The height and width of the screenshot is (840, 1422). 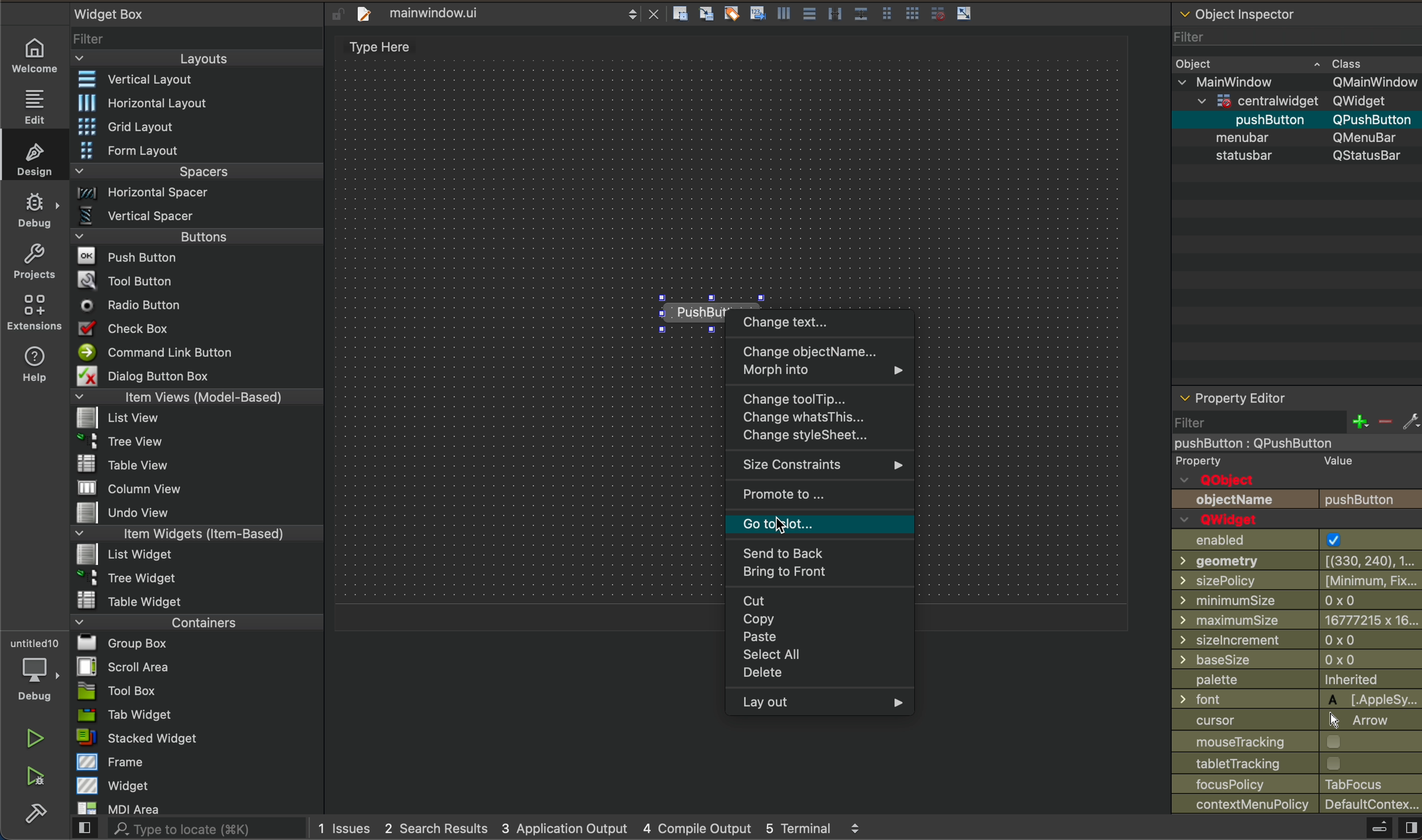 What do you see at coordinates (194, 192) in the screenshot?
I see `Horizontal spacer` at bounding box center [194, 192].